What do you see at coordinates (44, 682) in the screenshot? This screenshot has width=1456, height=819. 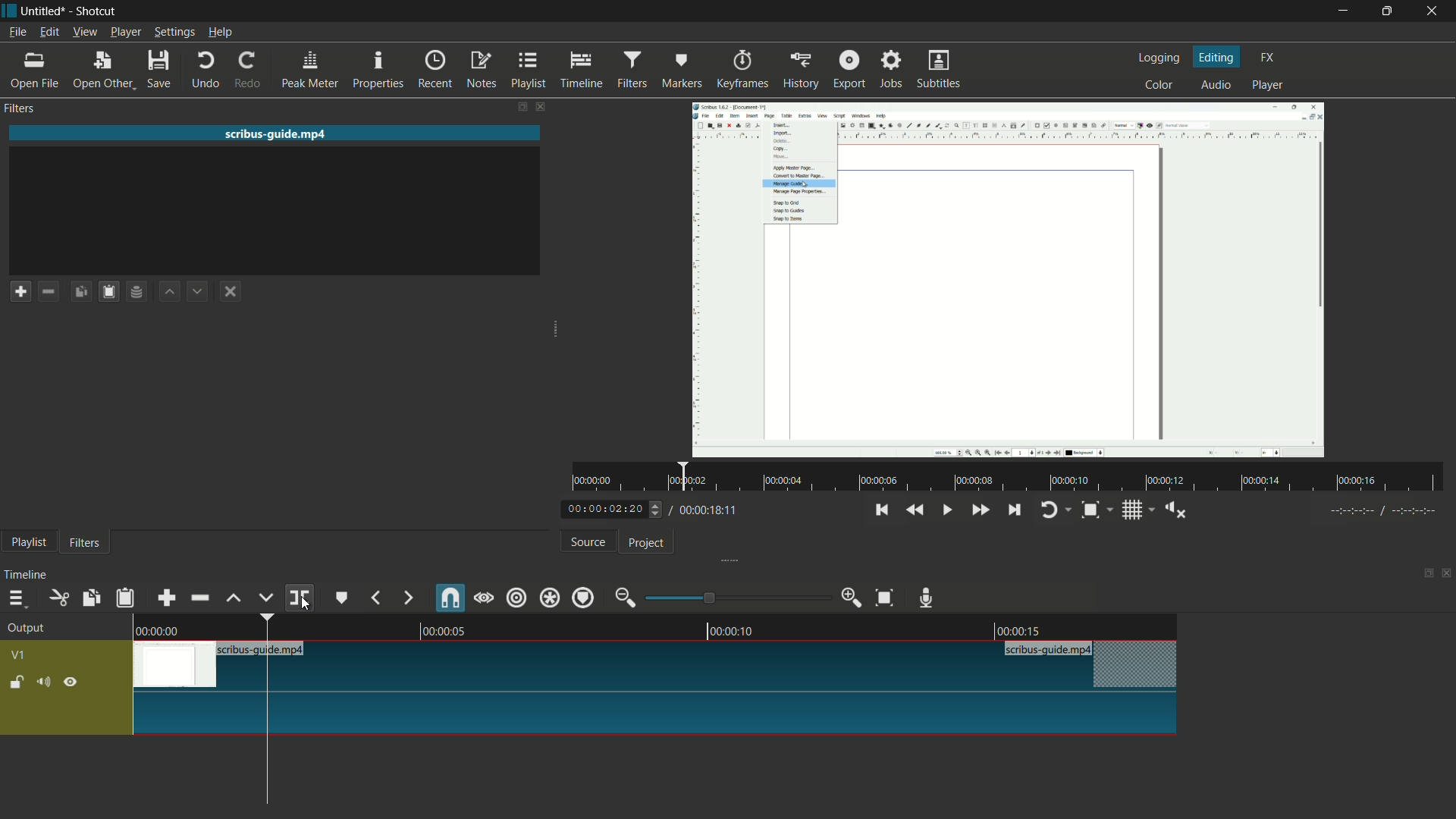 I see `mute` at bounding box center [44, 682].